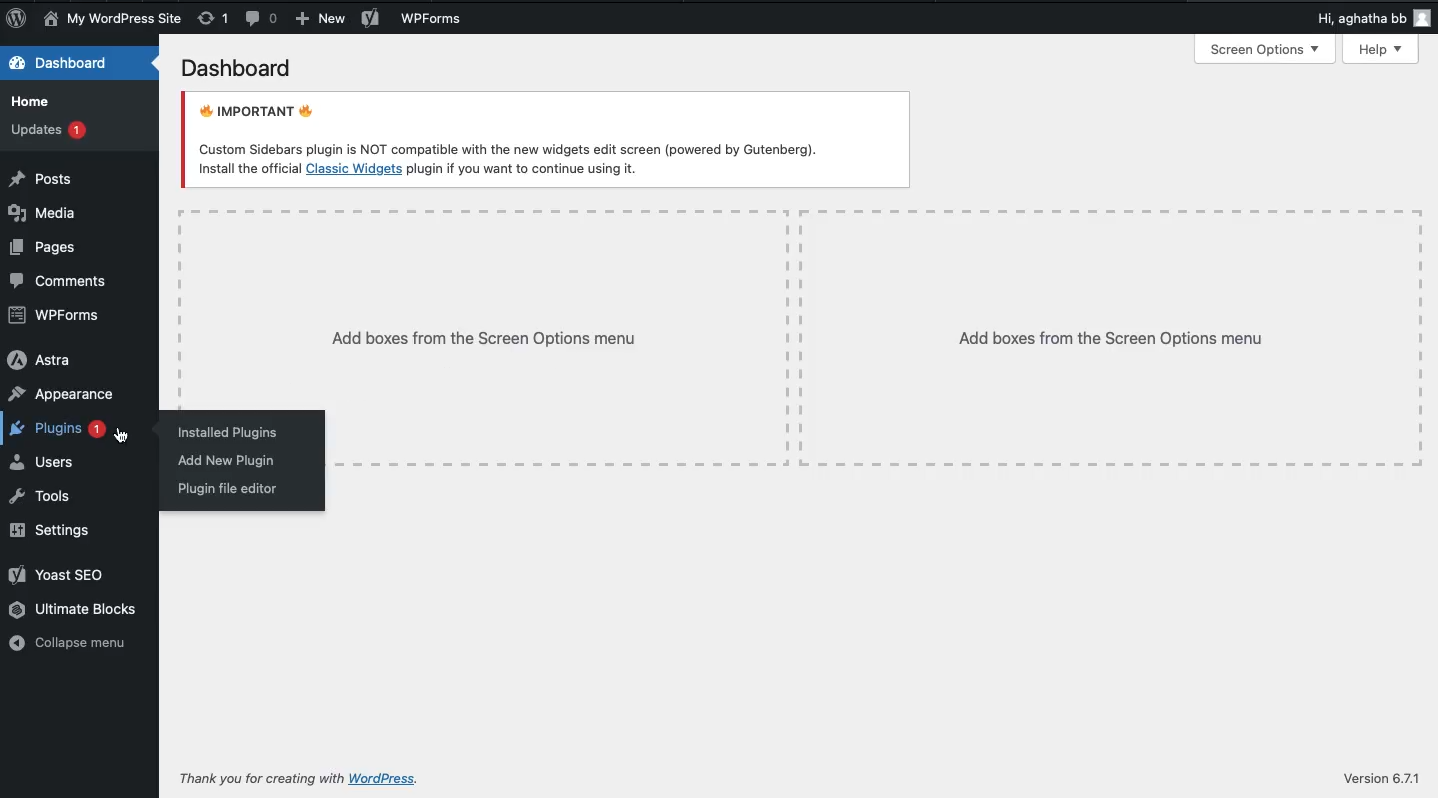 The height and width of the screenshot is (798, 1438). What do you see at coordinates (59, 576) in the screenshot?
I see `Yoast` at bounding box center [59, 576].